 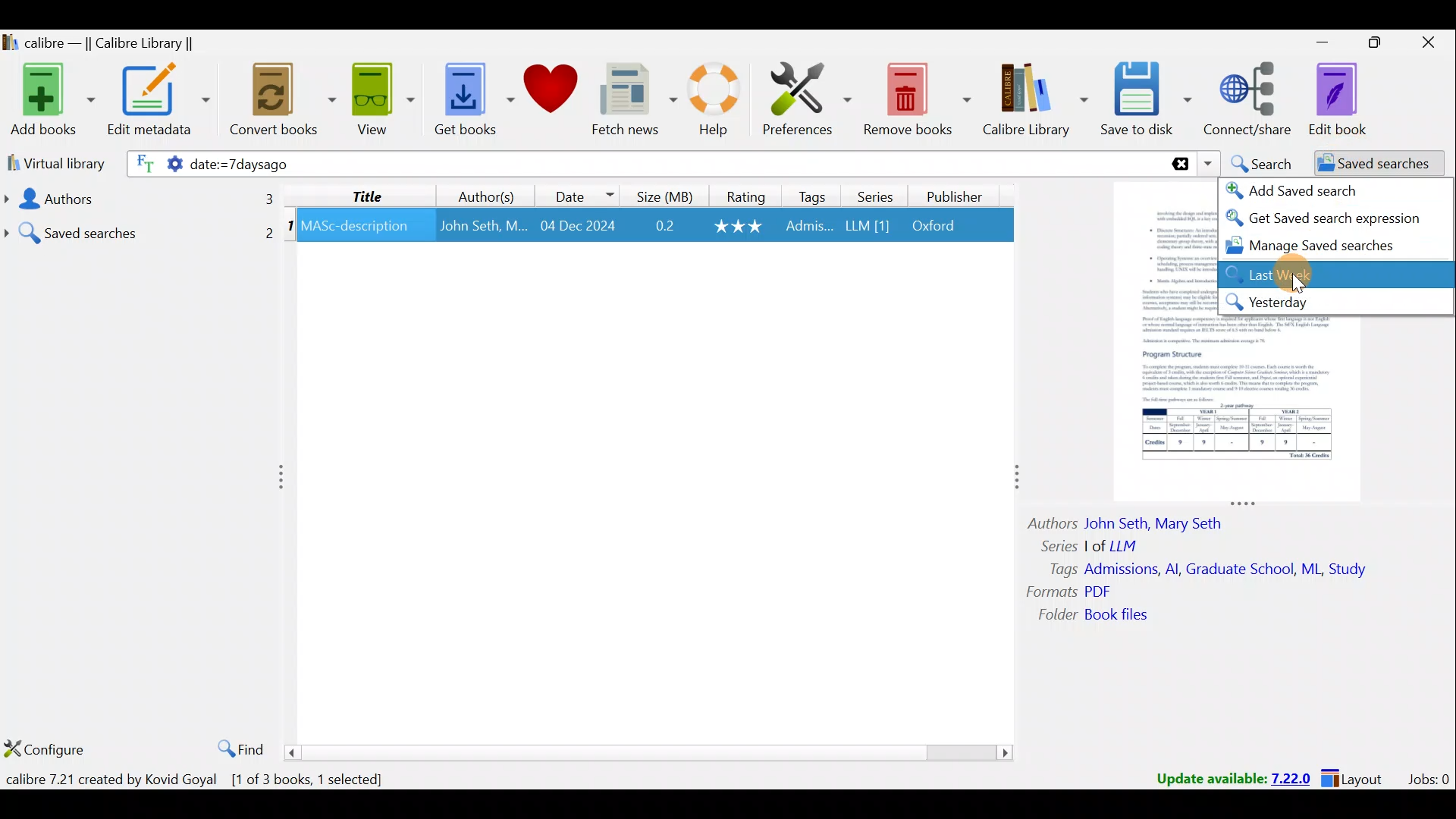 What do you see at coordinates (578, 227) in the screenshot?
I see `04 Dec 2024` at bounding box center [578, 227].